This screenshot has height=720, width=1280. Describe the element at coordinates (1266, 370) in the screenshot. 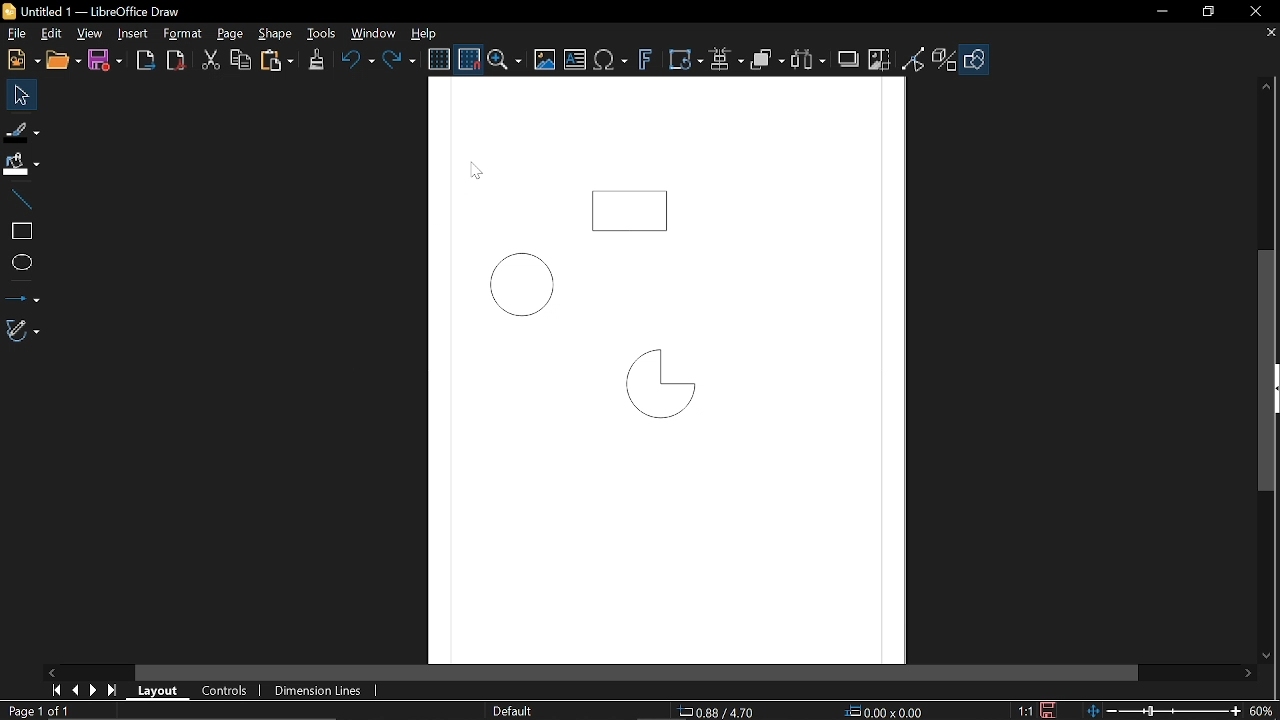

I see `Vertical scrollbar` at that location.